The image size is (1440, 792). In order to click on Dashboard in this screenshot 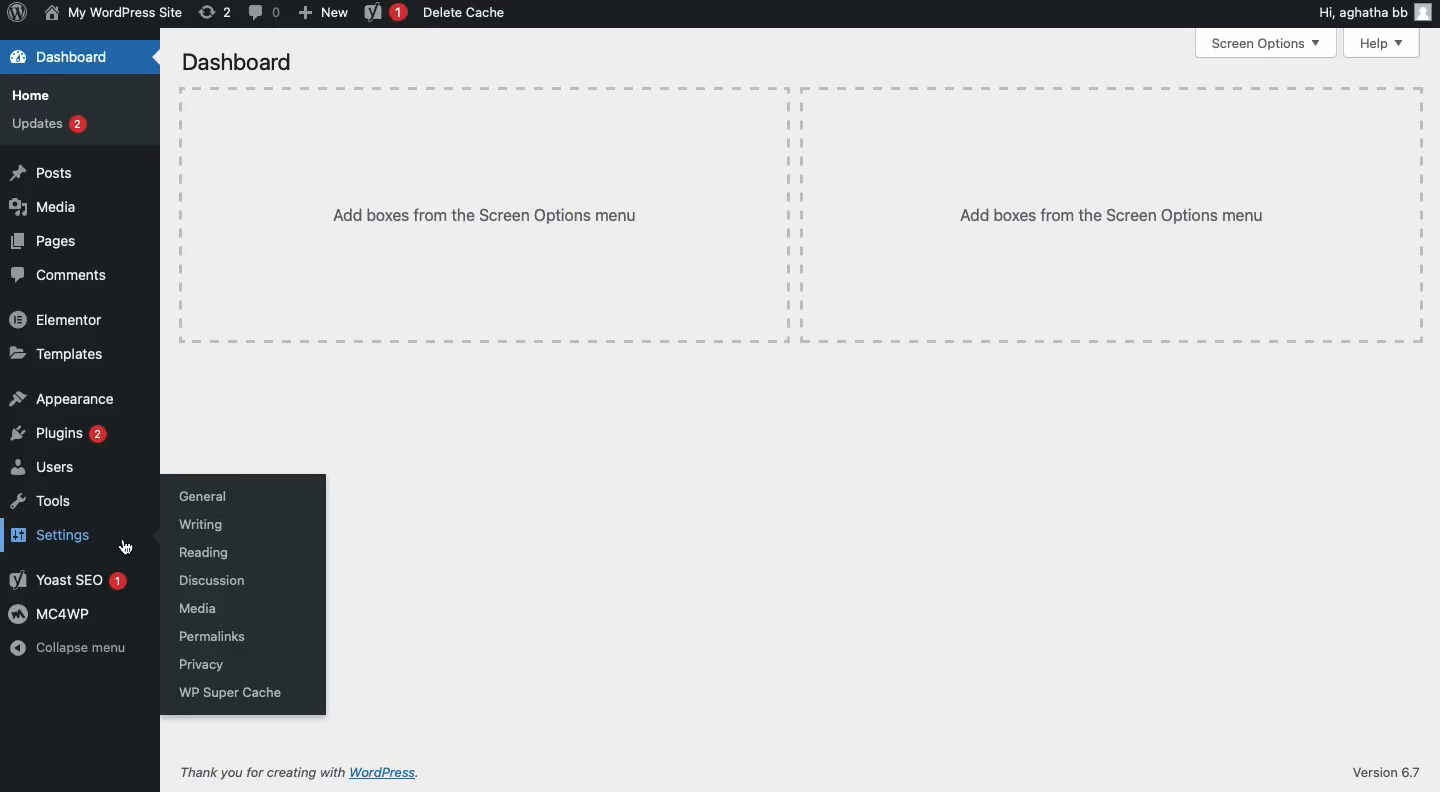, I will do `click(236, 61)`.